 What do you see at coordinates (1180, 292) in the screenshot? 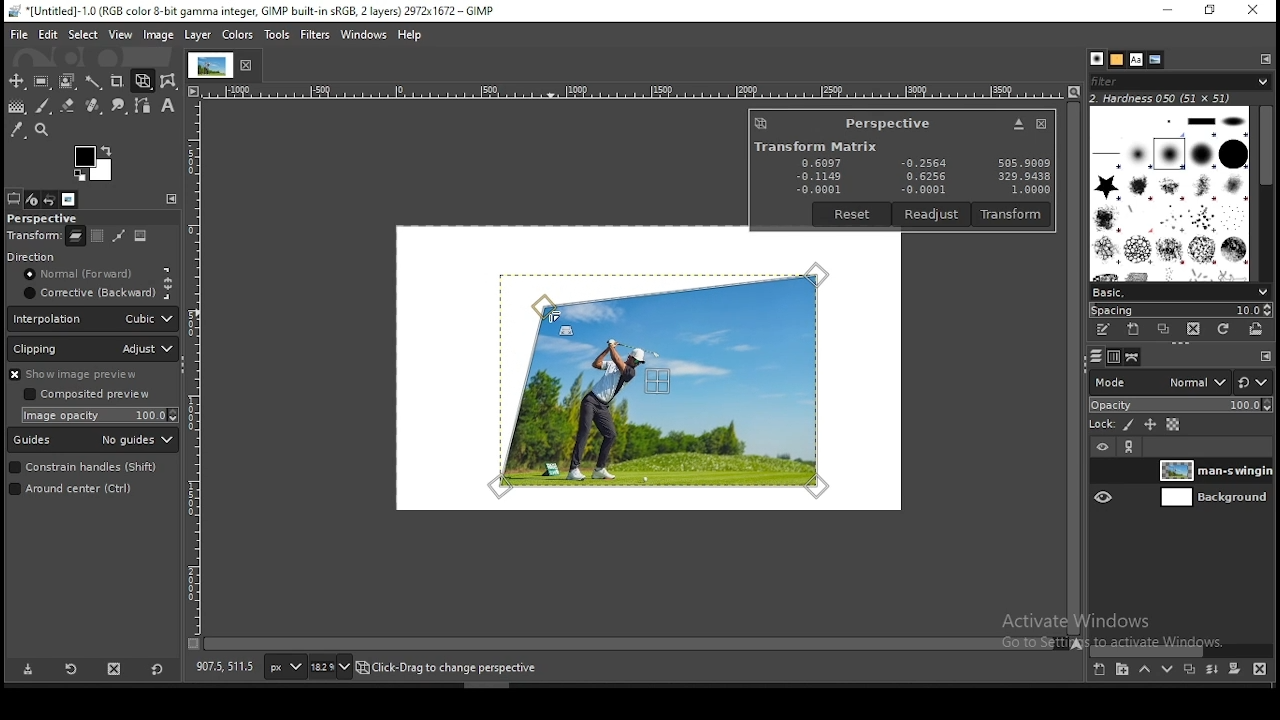
I see `brush presets` at bounding box center [1180, 292].